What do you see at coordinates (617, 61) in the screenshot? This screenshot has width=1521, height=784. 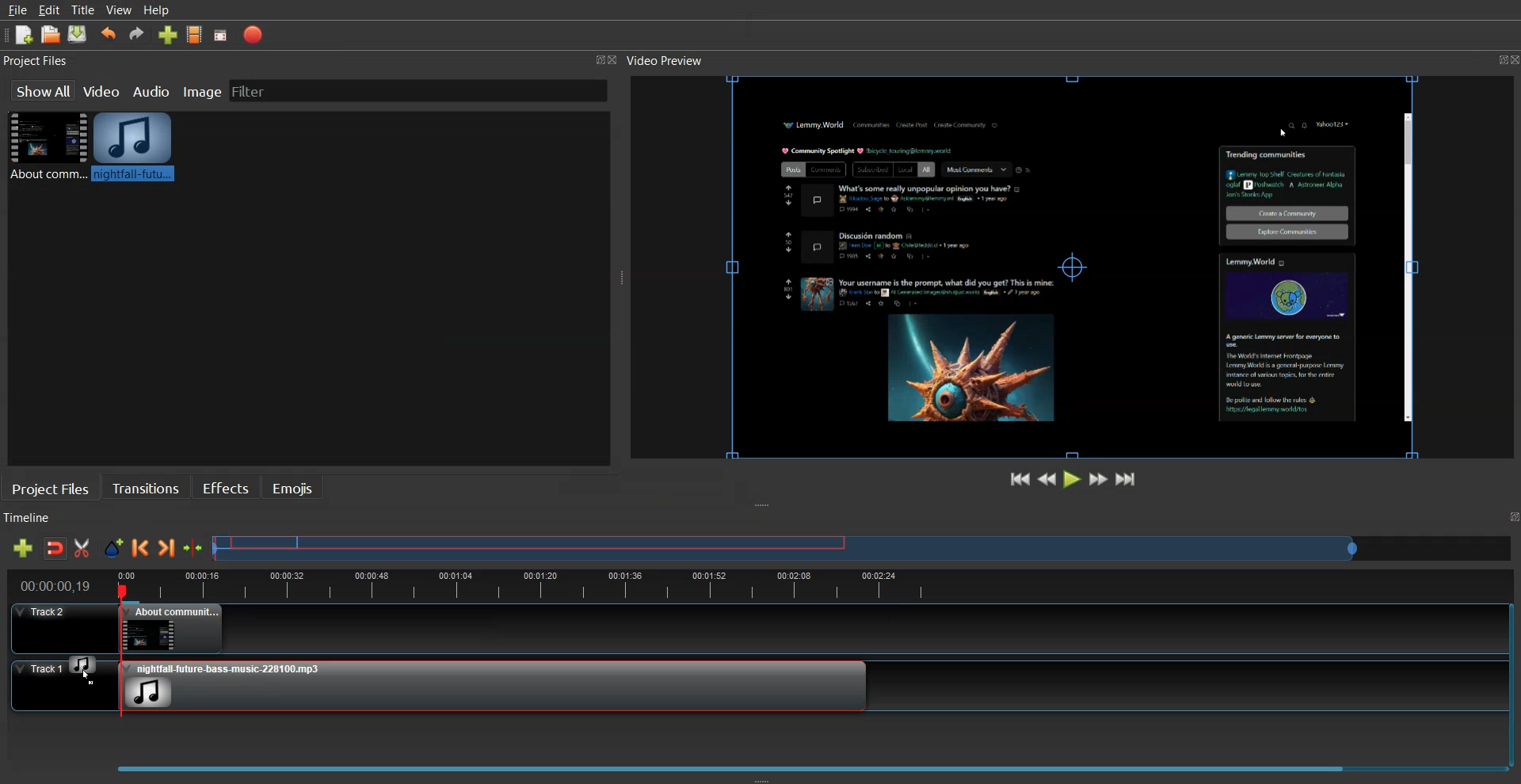 I see `Close` at bounding box center [617, 61].